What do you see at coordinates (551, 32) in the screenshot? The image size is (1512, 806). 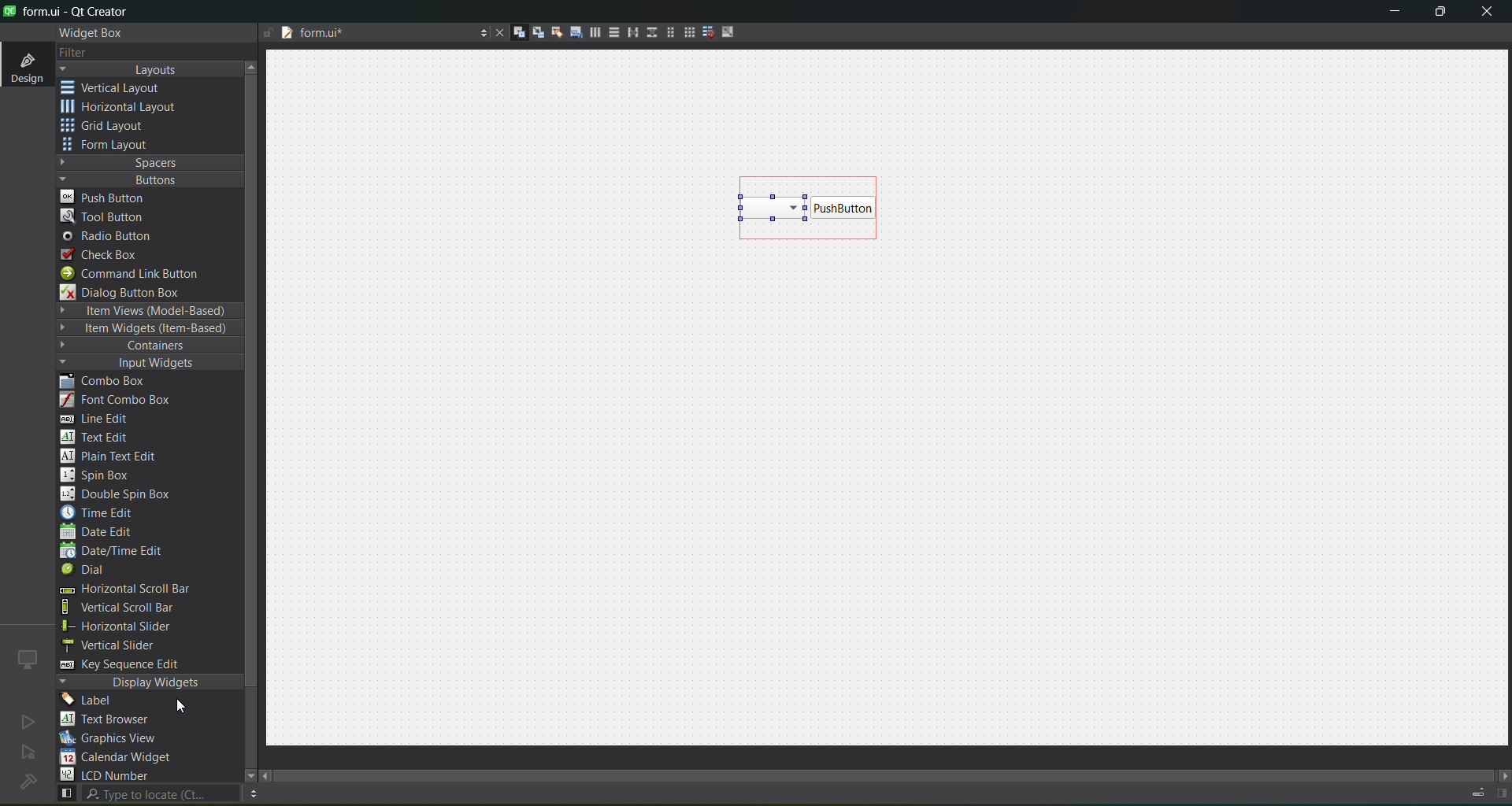 I see `edit buddies` at bounding box center [551, 32].